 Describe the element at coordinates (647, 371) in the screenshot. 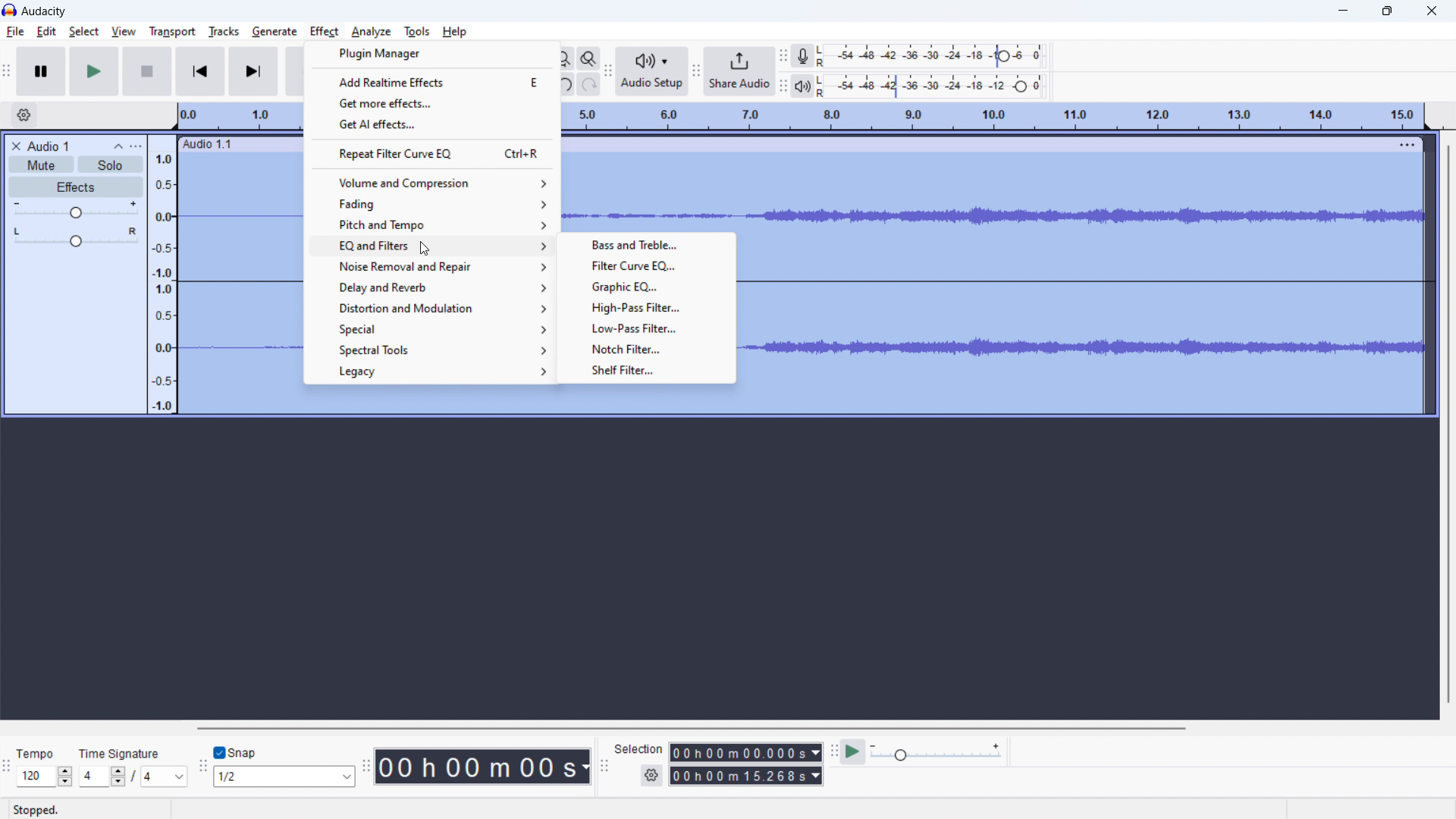

I see `shelf filter` at that location.